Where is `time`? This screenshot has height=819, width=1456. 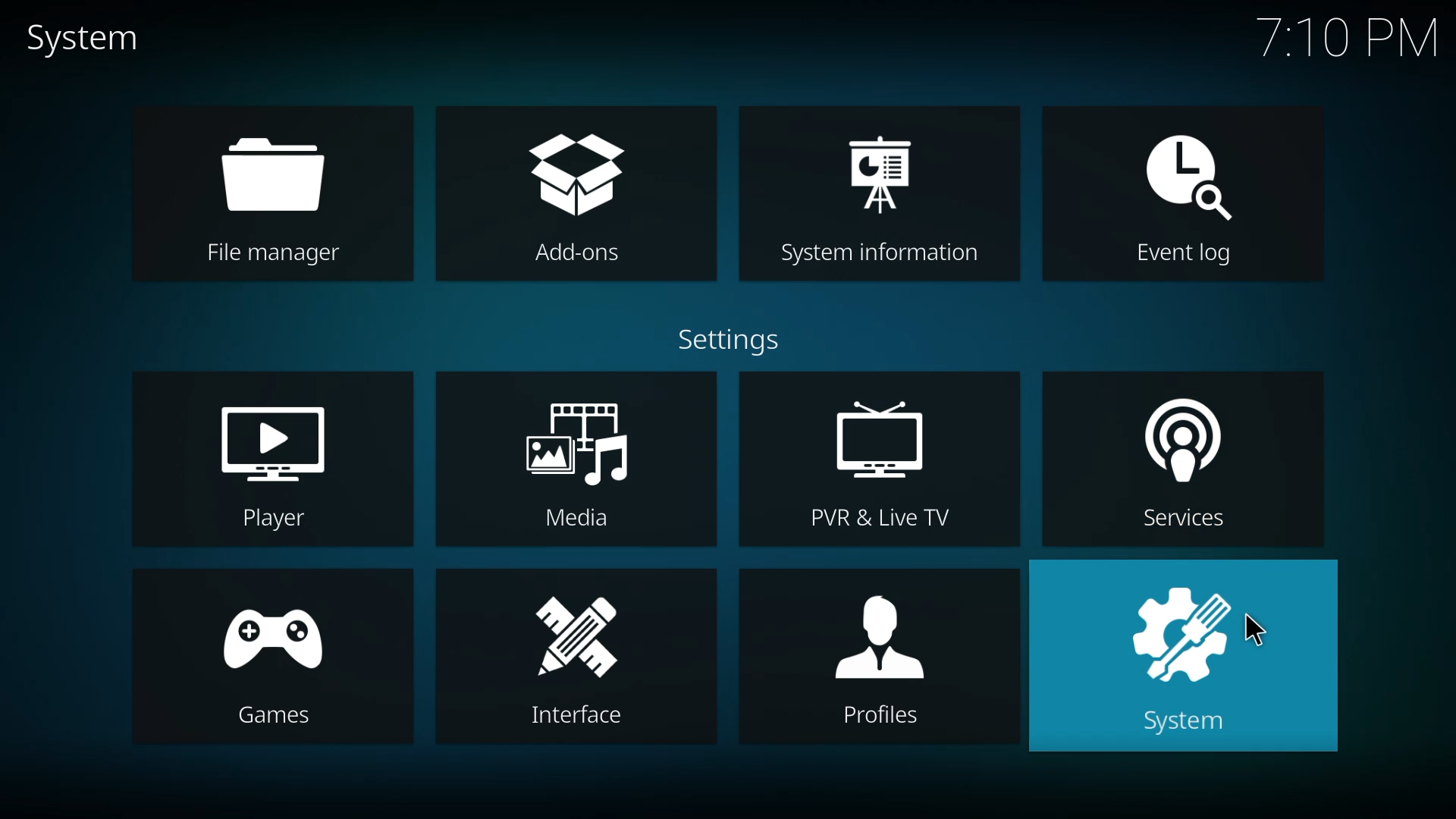
time is located at coordinates (1348, 37).